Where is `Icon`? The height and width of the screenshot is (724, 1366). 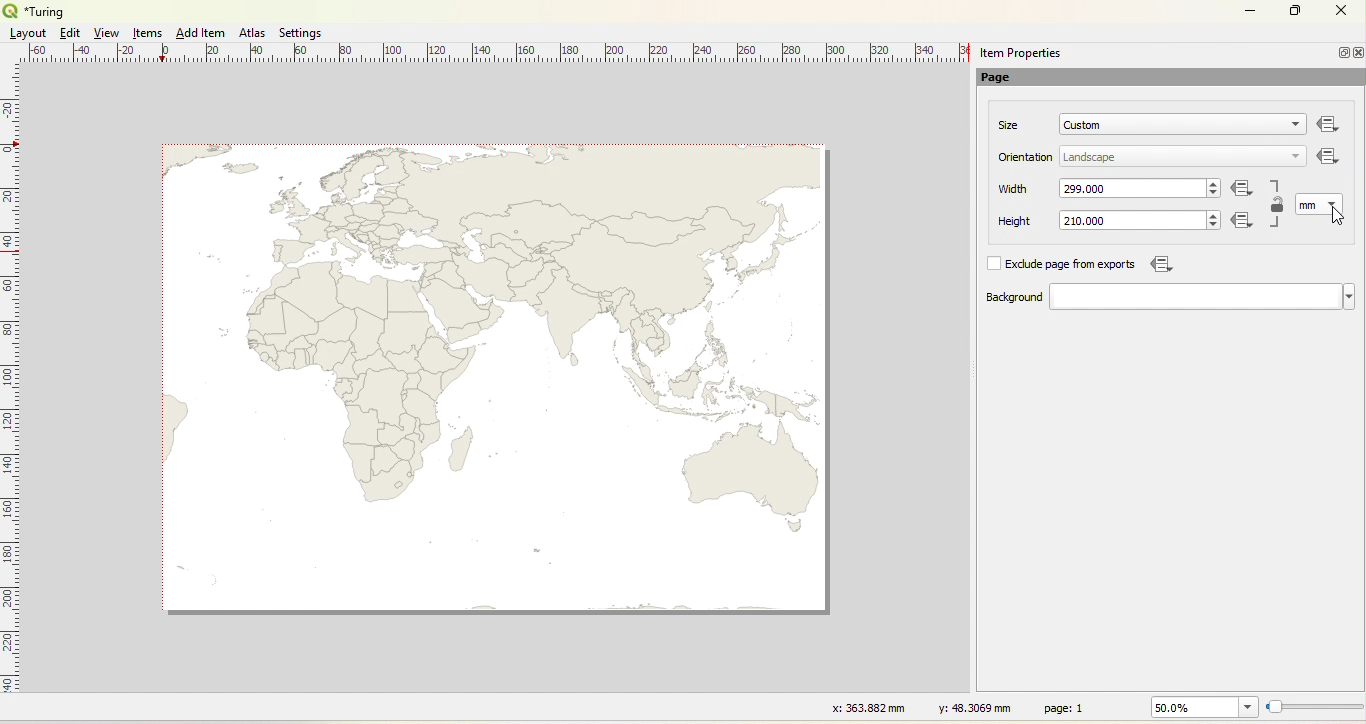 Icon is located at coordinates (1326, 155).